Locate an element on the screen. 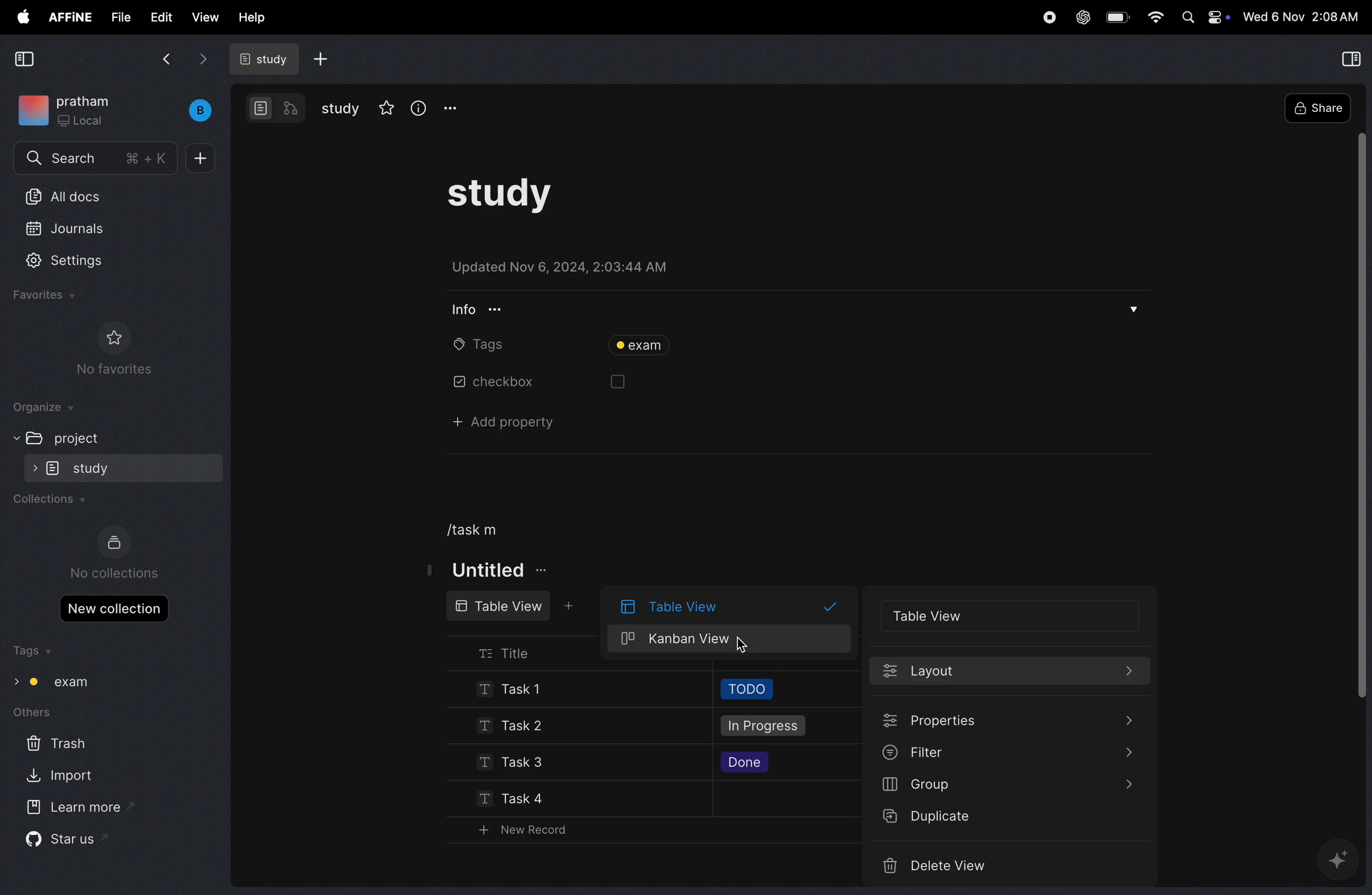  filter is located at coordinates (1008, 752).